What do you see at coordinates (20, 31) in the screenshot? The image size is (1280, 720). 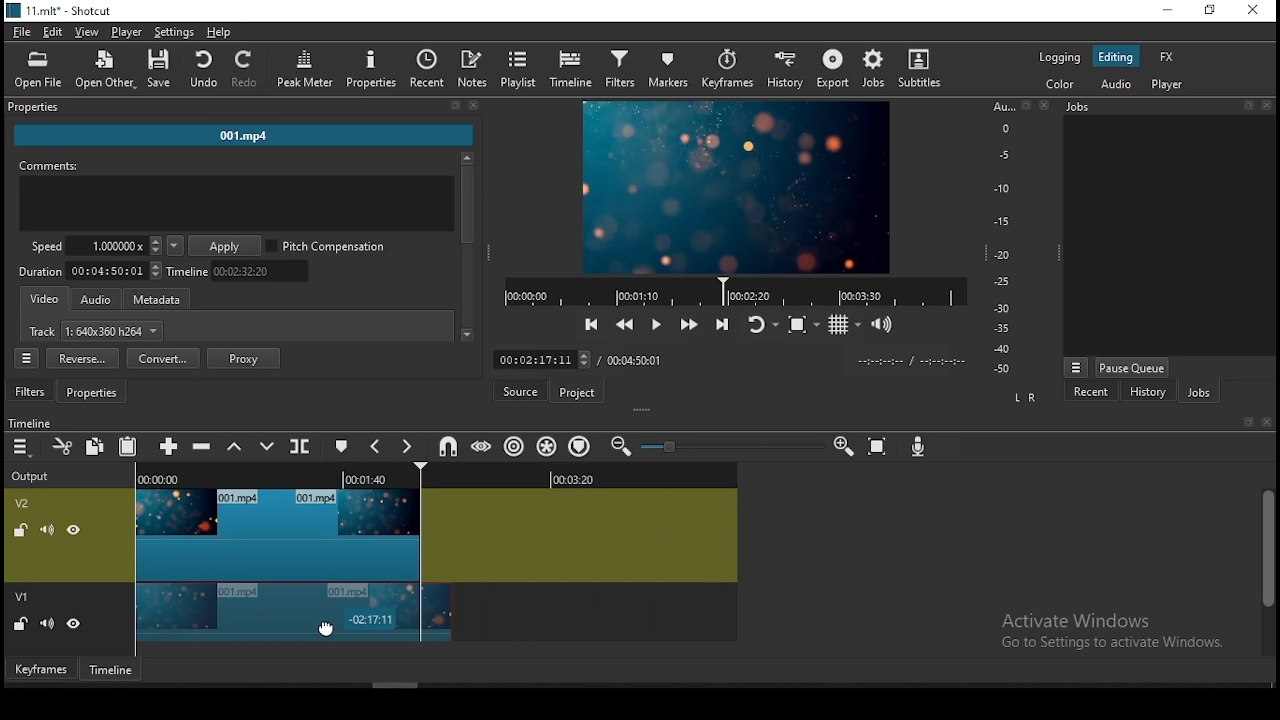 I see `file` at bounding box center [20, 31].